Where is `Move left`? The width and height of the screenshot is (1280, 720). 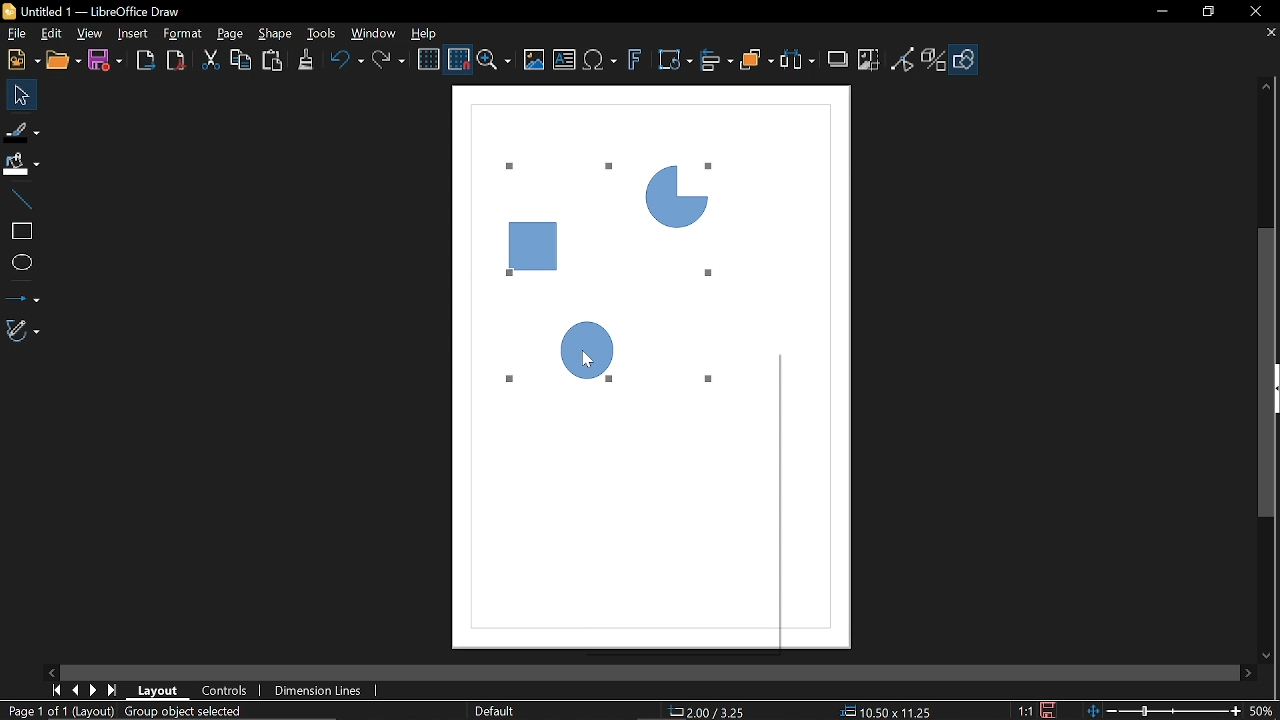 Move left is located at coordinates (53, 672).